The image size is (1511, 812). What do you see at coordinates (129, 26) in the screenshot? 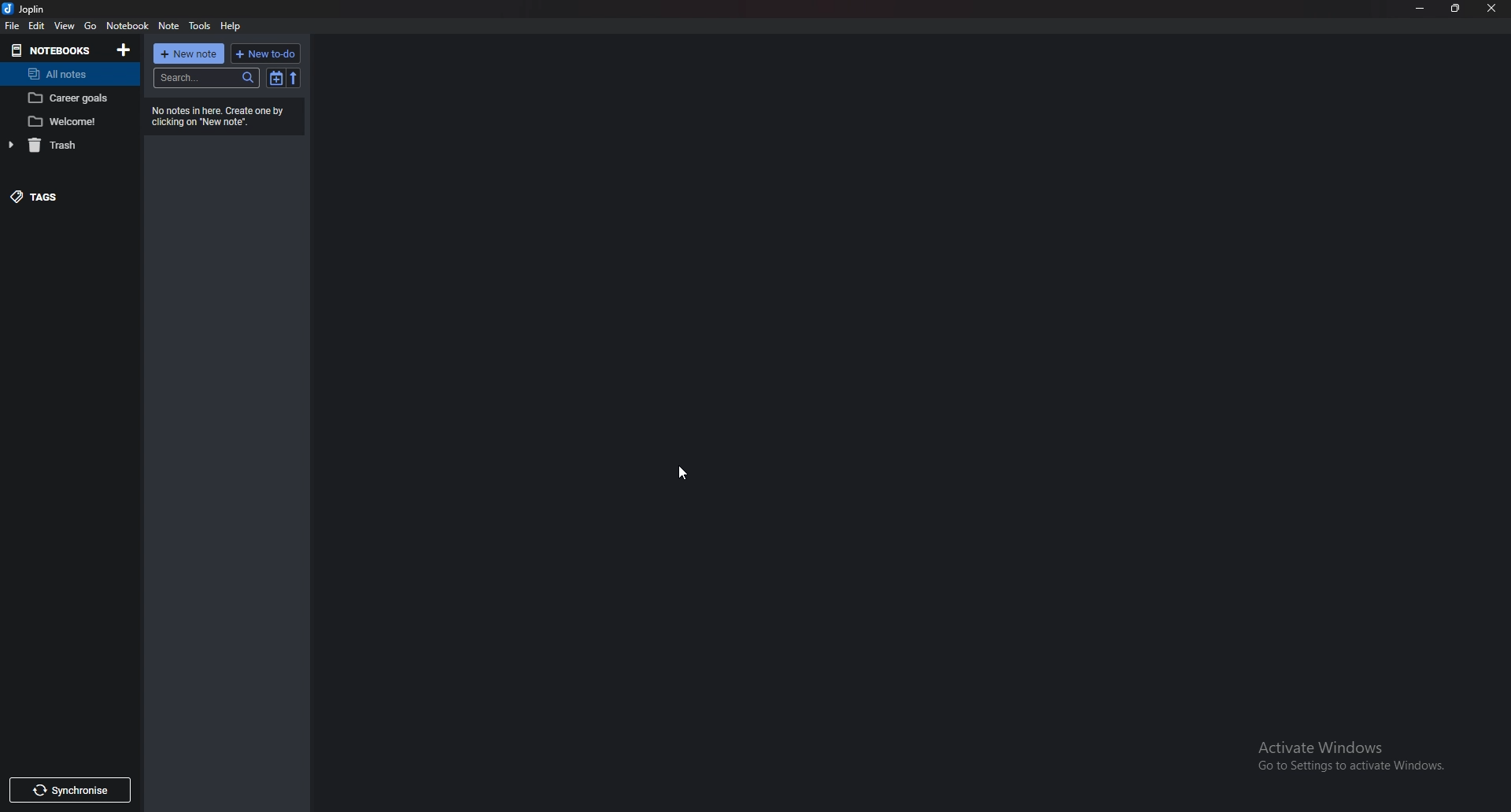
I see `notebook` at bounding box center [129, 26].